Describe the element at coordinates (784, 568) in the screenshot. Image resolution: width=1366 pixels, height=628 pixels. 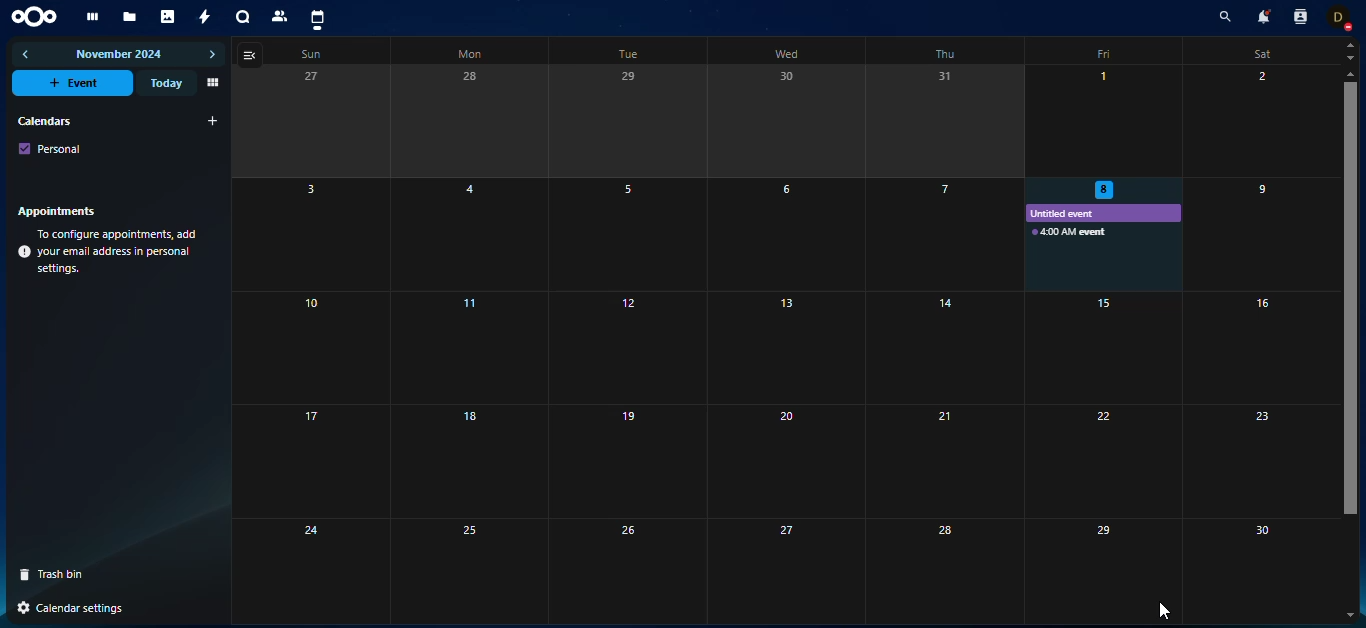
I see `27` at that location.